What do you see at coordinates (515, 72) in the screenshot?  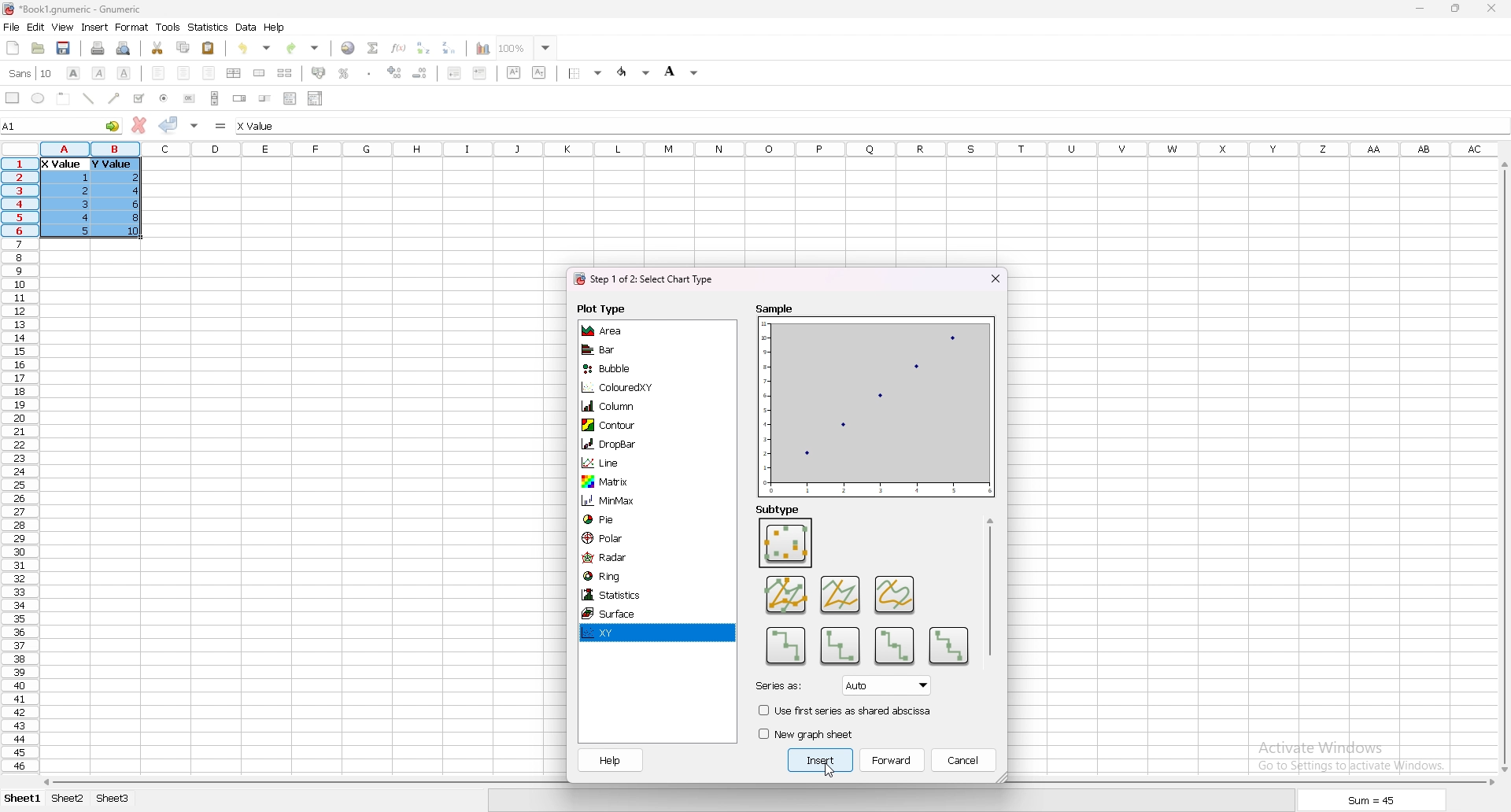 I see `superscript` at bounding box center [515, 72].